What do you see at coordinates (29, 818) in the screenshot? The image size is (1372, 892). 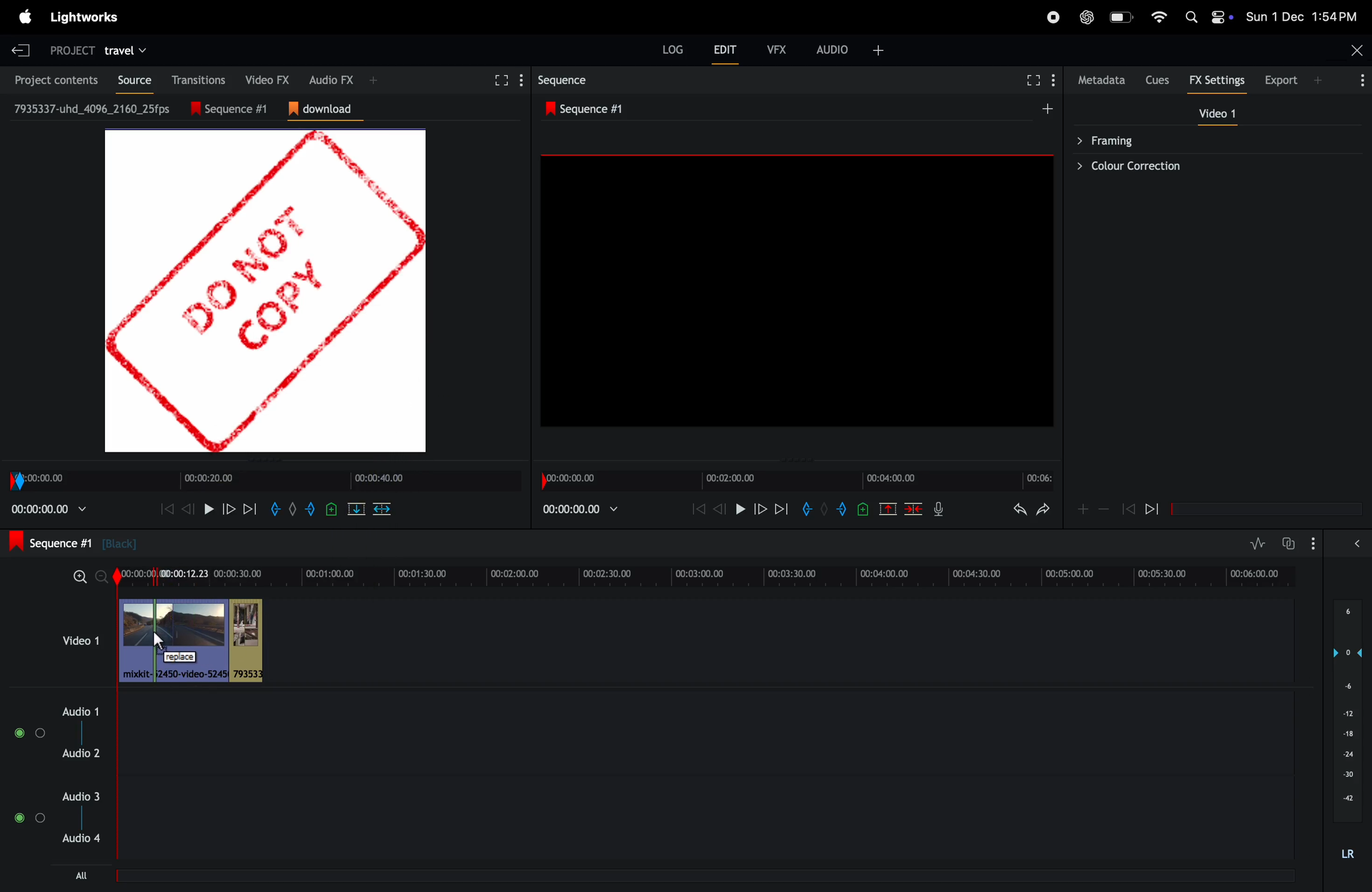 I see `options` at bounding box center [29, 818].